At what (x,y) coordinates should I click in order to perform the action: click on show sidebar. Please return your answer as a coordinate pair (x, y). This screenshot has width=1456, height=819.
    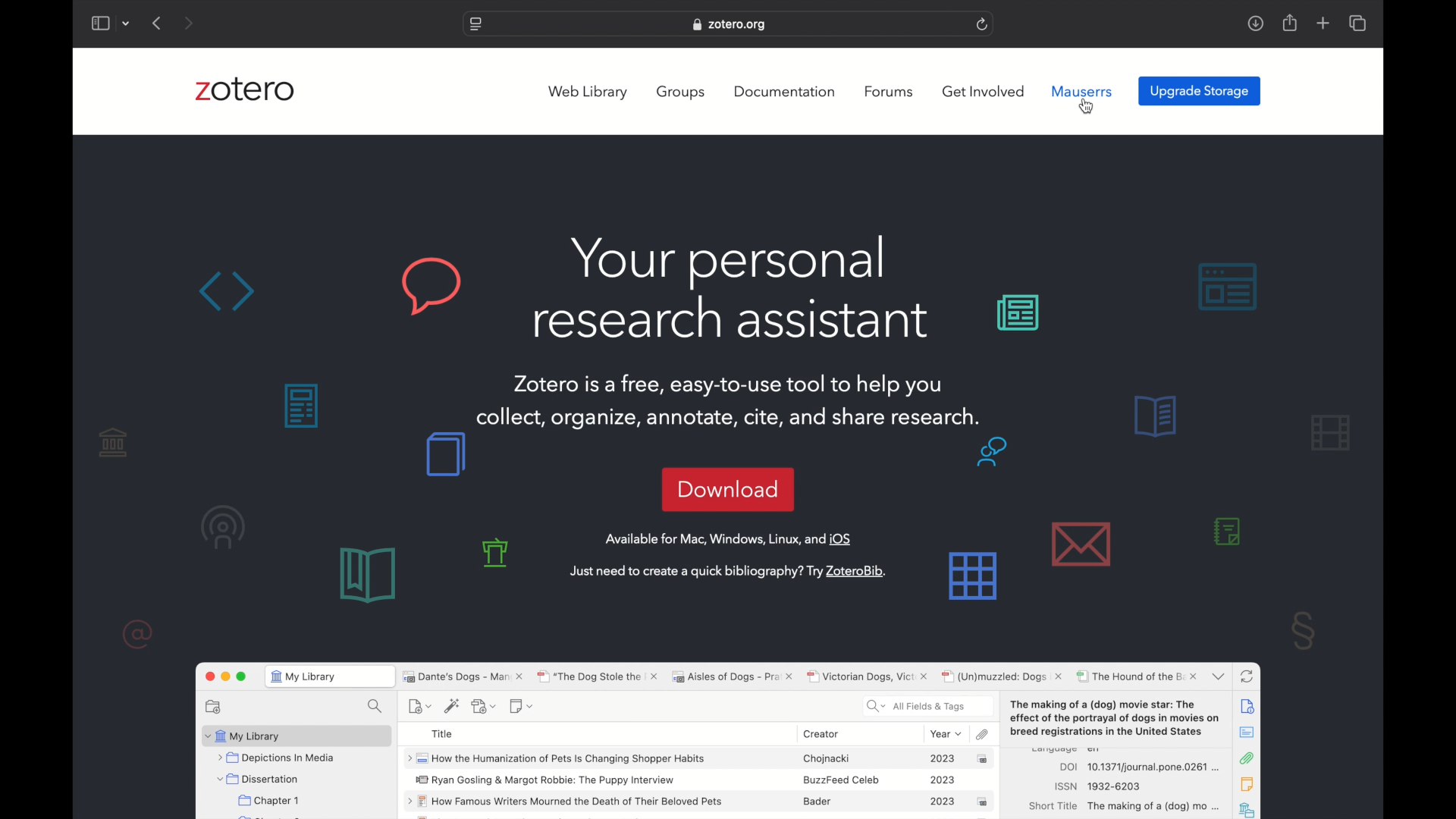
    Looking at the image, I should click on (99, 24).